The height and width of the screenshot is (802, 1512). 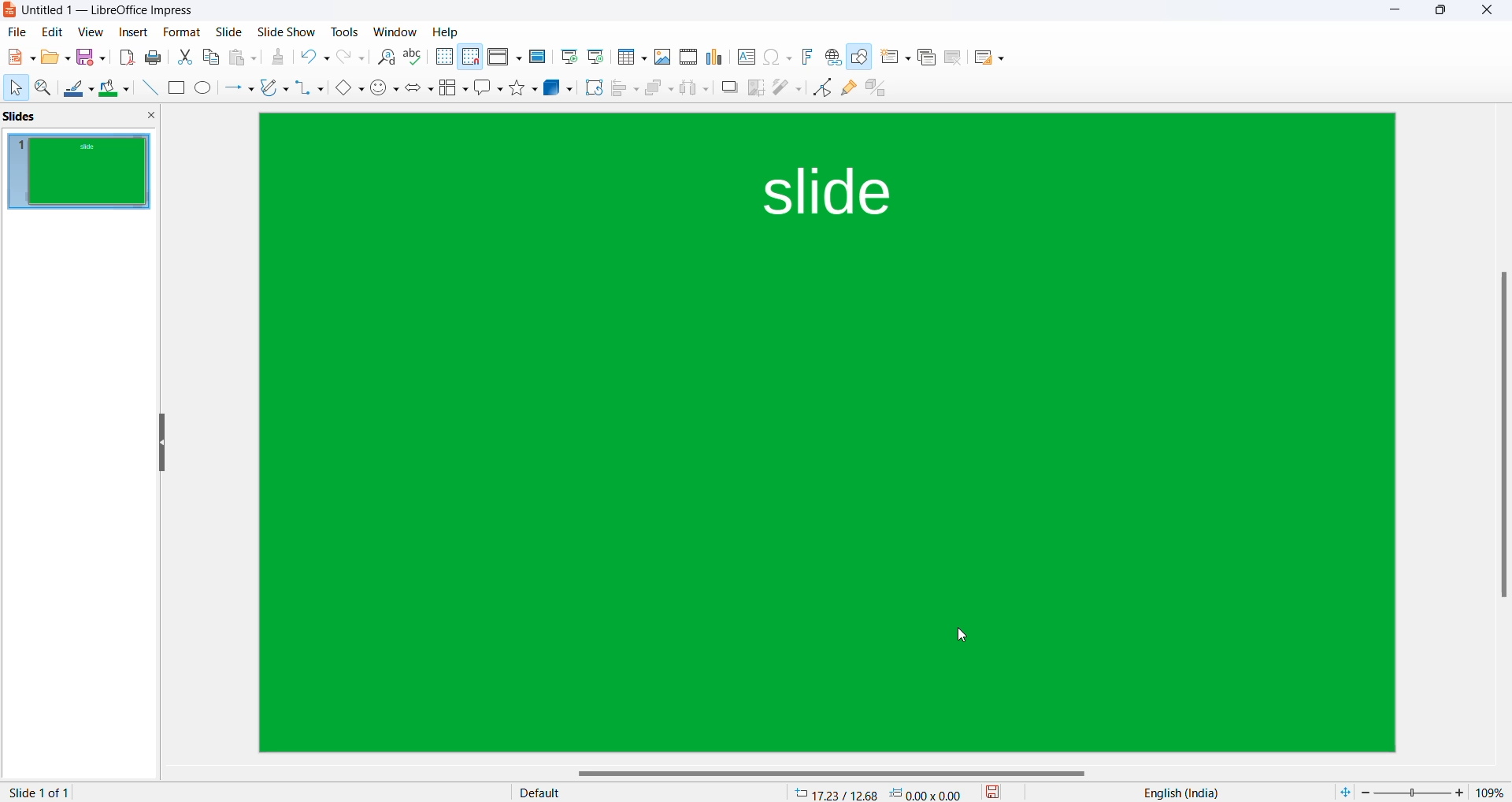 What do you see at coordinates (595, 56) in the screenshot?
I see `start from current slide` at bounding box center [595, 56].